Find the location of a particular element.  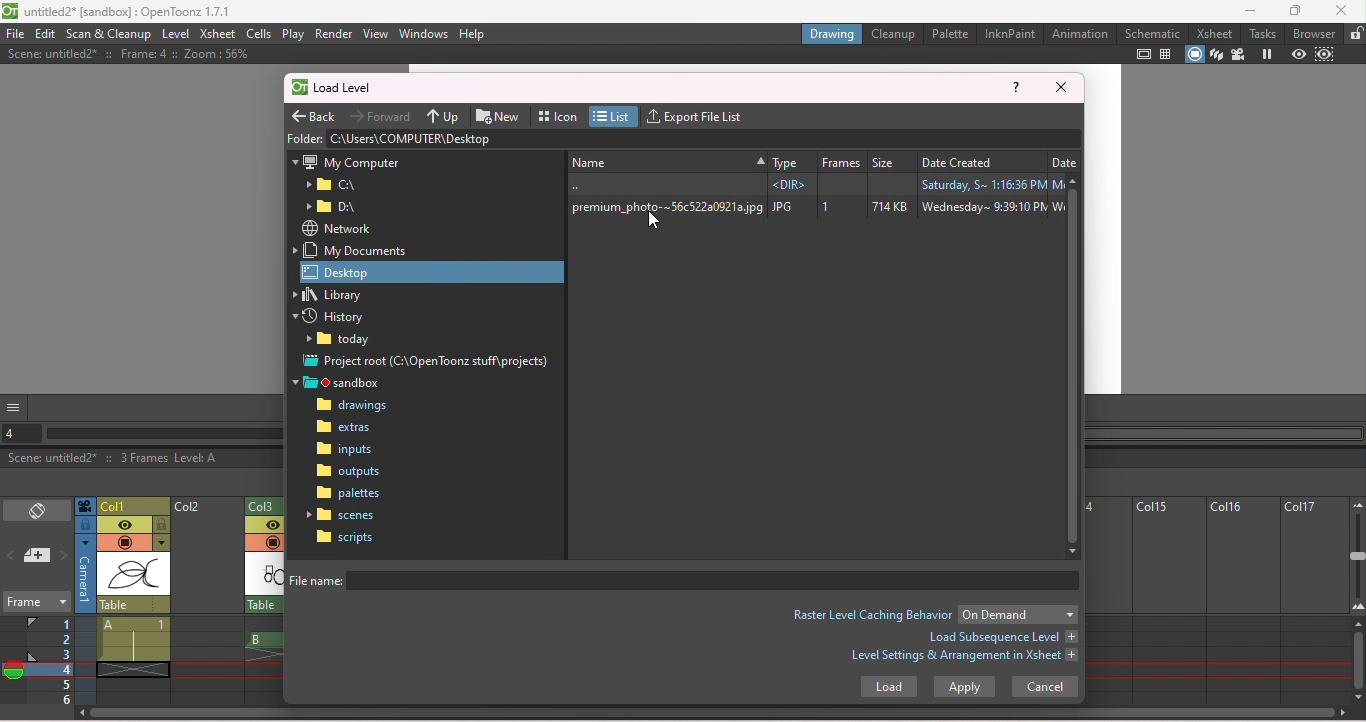

Frame is located at coordinates (841, 159).